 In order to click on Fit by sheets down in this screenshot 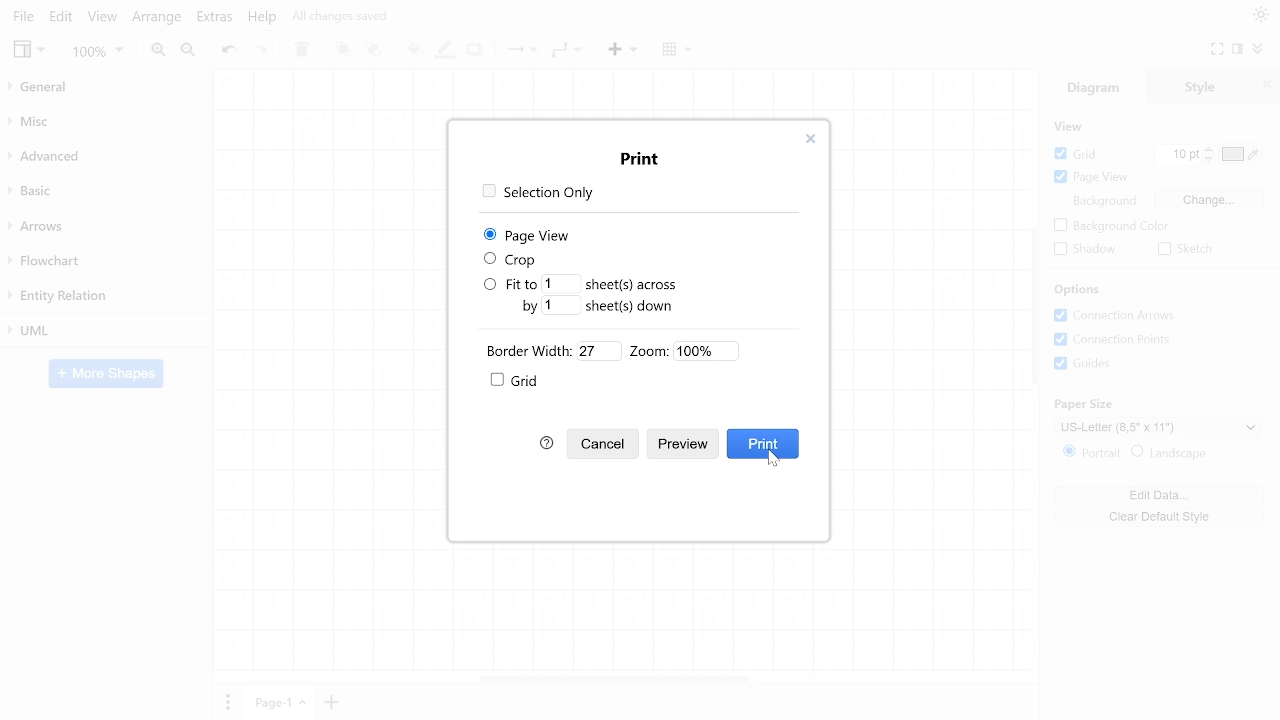, I will do `click(598, 307)`.